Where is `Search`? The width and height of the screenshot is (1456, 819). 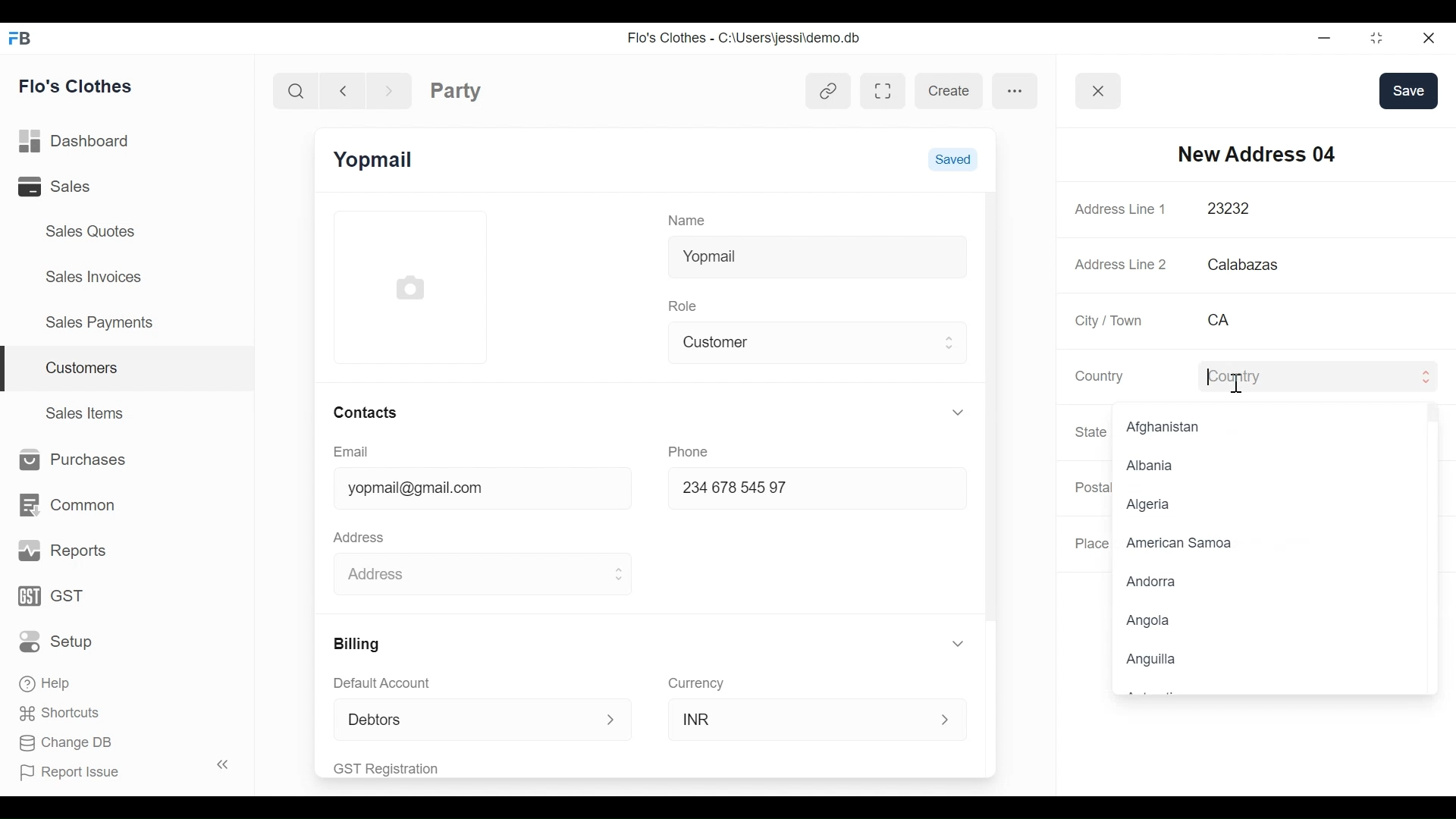 Search is located at coordinates (299, 90).